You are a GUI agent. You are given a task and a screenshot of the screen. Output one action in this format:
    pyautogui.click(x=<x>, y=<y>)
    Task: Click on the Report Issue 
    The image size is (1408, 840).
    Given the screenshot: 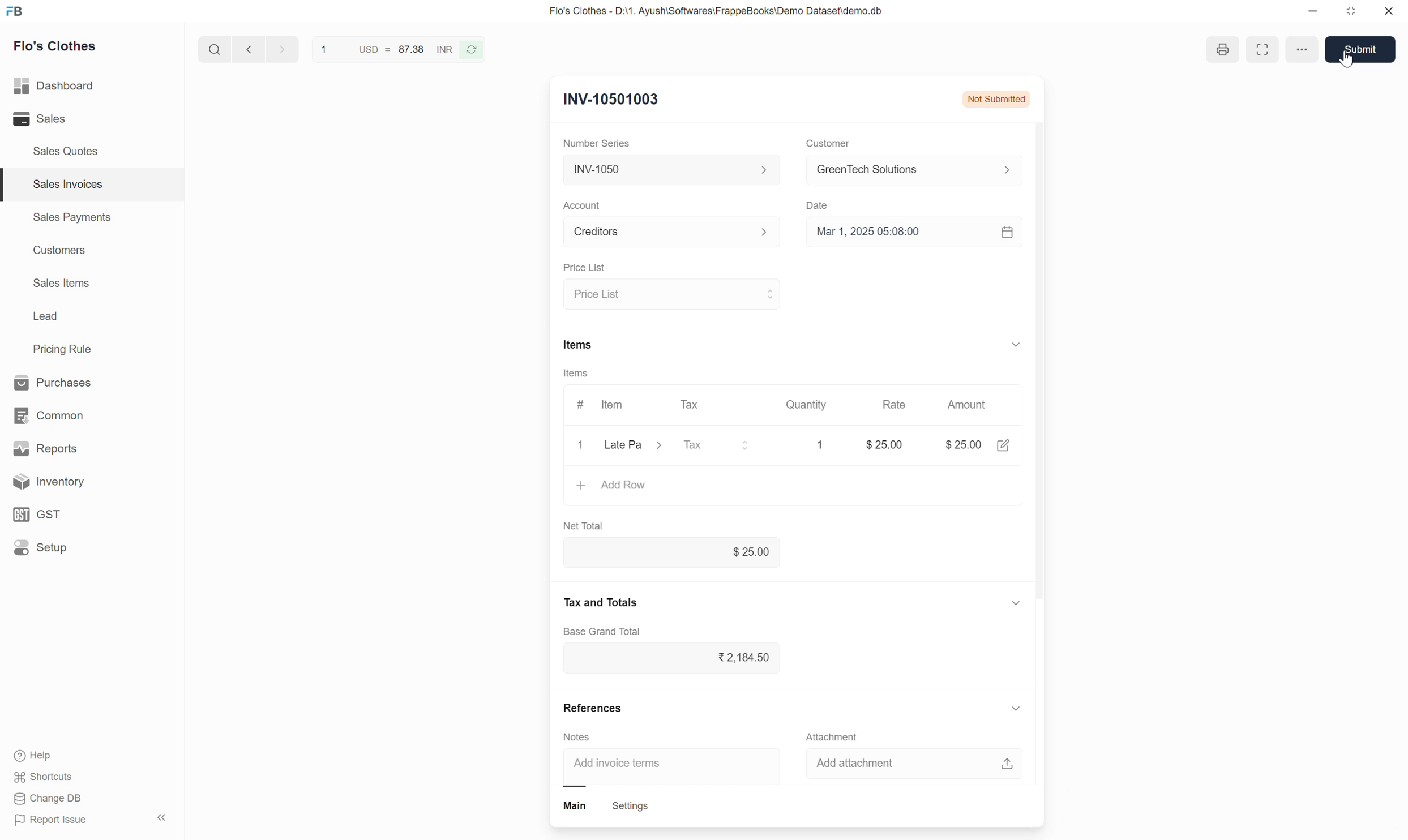 What is the action you would take?
    pyautogui.click(x=60, y=822)
    